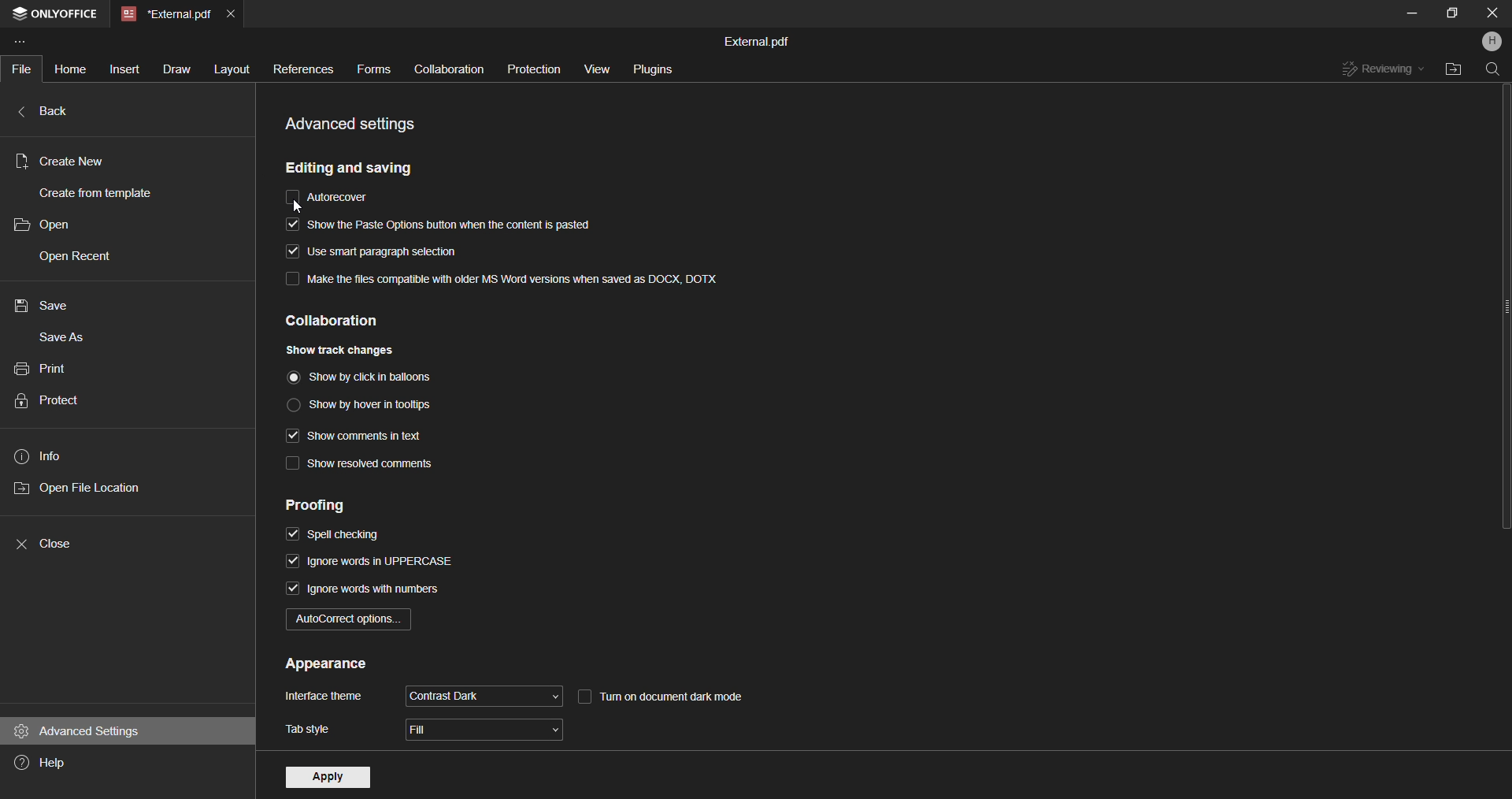  I want to click on show by click in ballons, so click(369, 376).